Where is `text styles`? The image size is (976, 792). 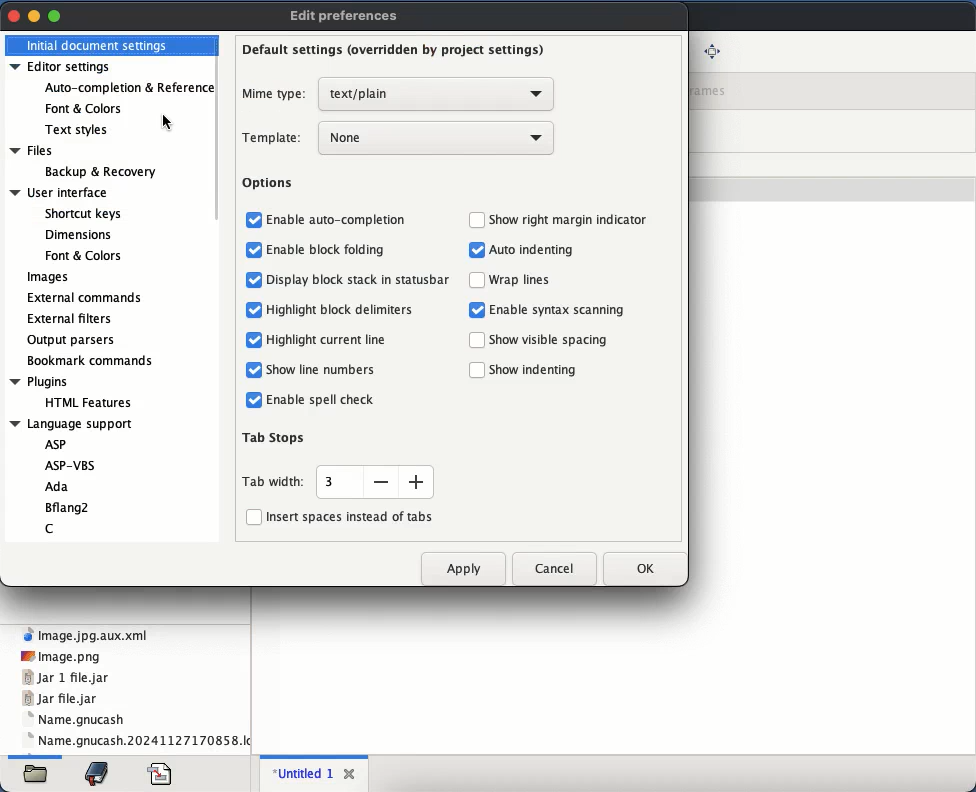 text styles is located at coordinates (79, 131).